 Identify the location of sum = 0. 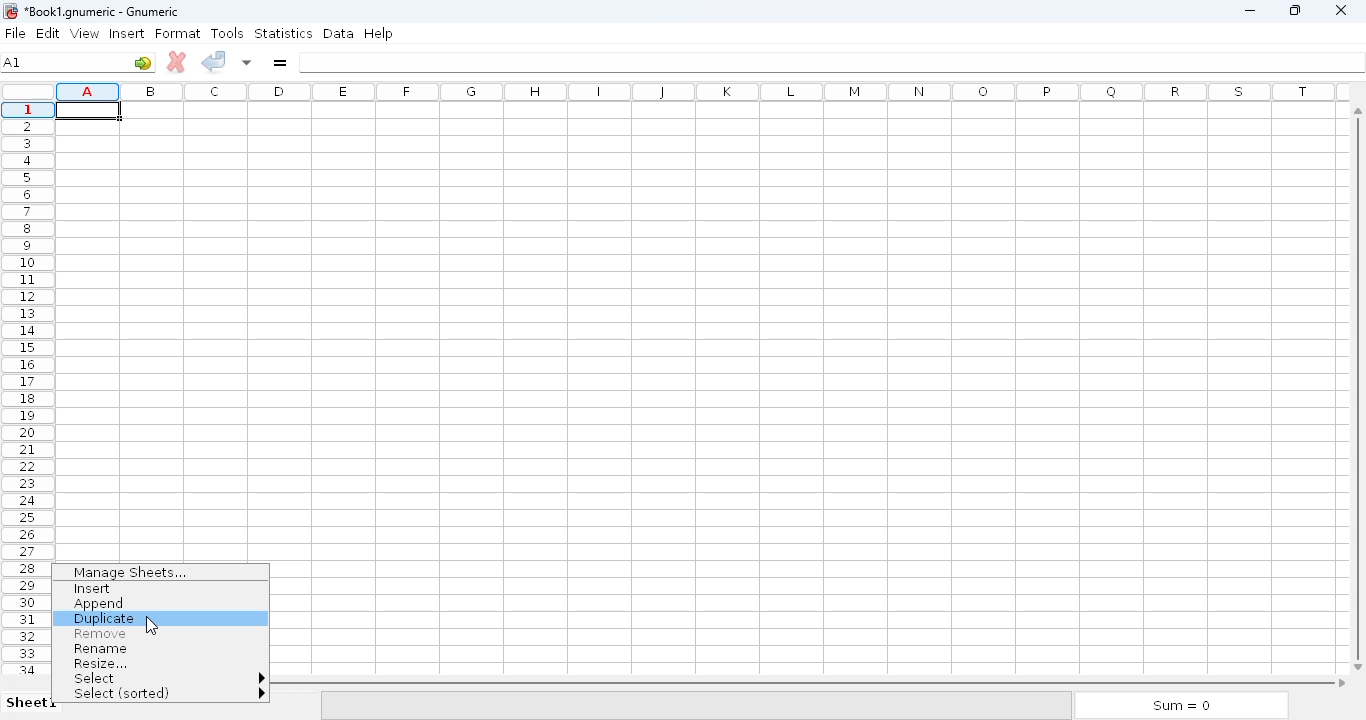
(1181, 706).